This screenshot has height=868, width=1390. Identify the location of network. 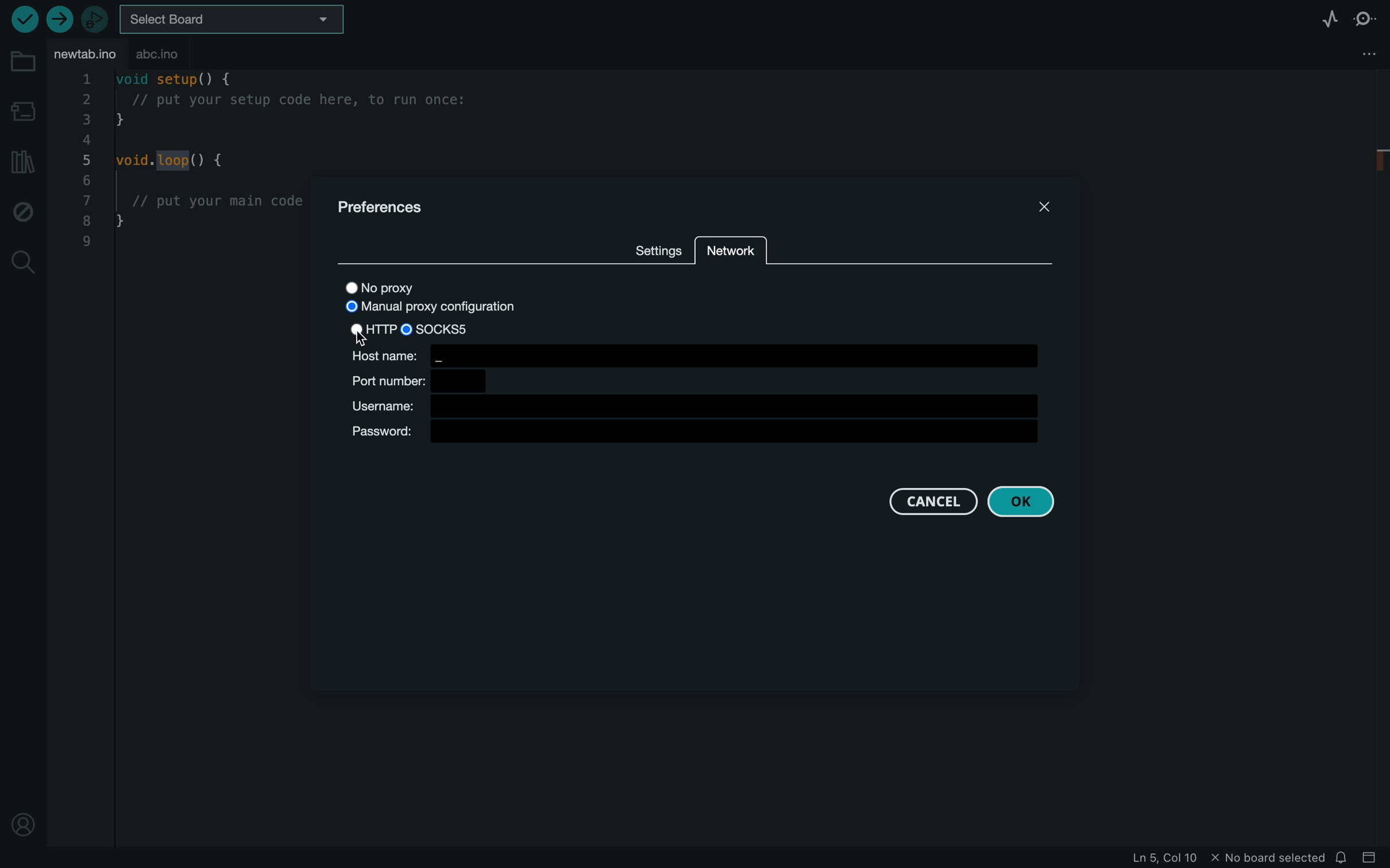
(732, 252).